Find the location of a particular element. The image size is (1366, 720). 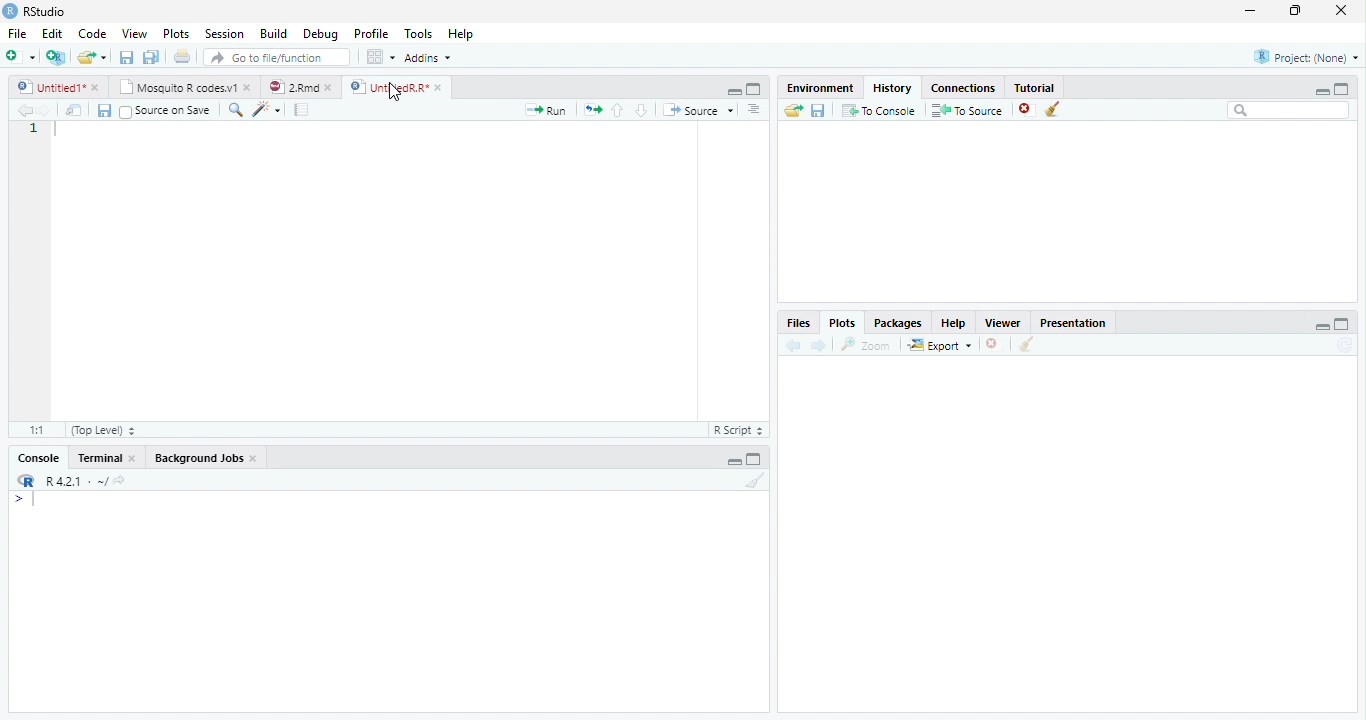

Close is located at coordinates (254, 458).